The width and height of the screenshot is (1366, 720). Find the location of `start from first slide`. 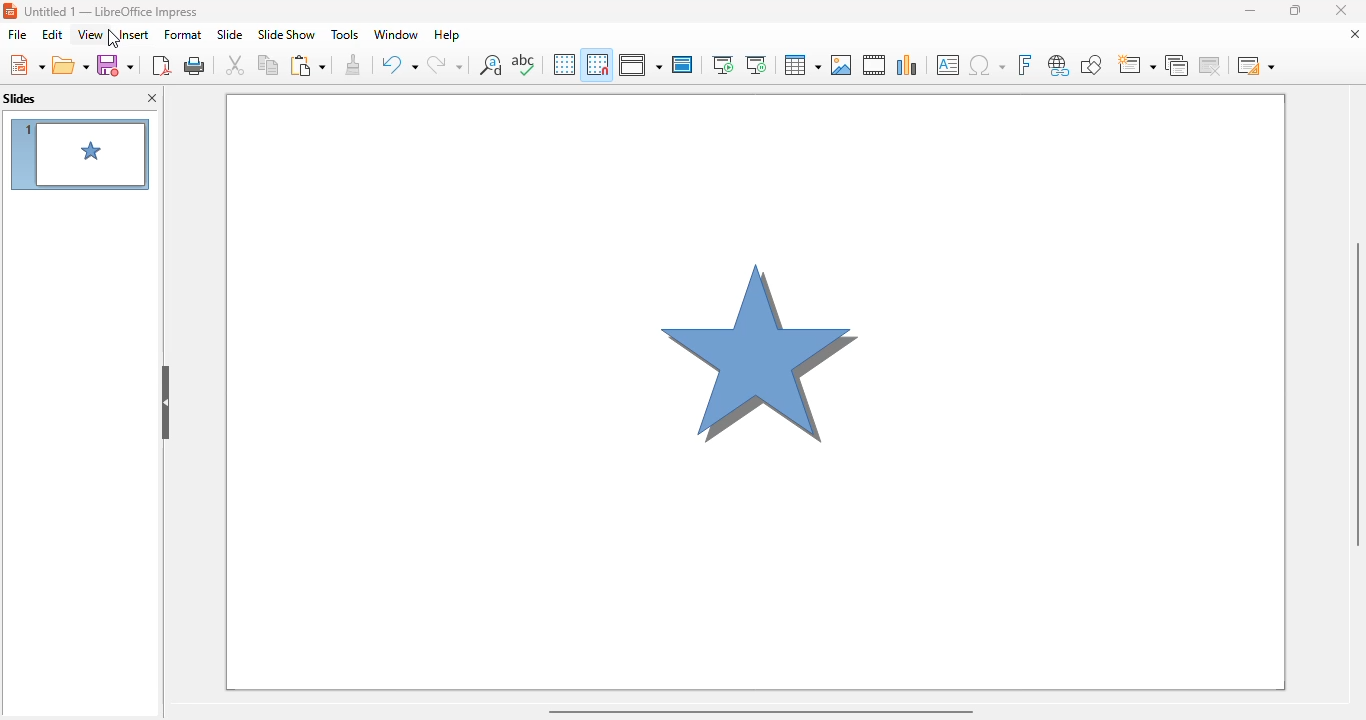

start from first slide is located at coordinates (724, 65).